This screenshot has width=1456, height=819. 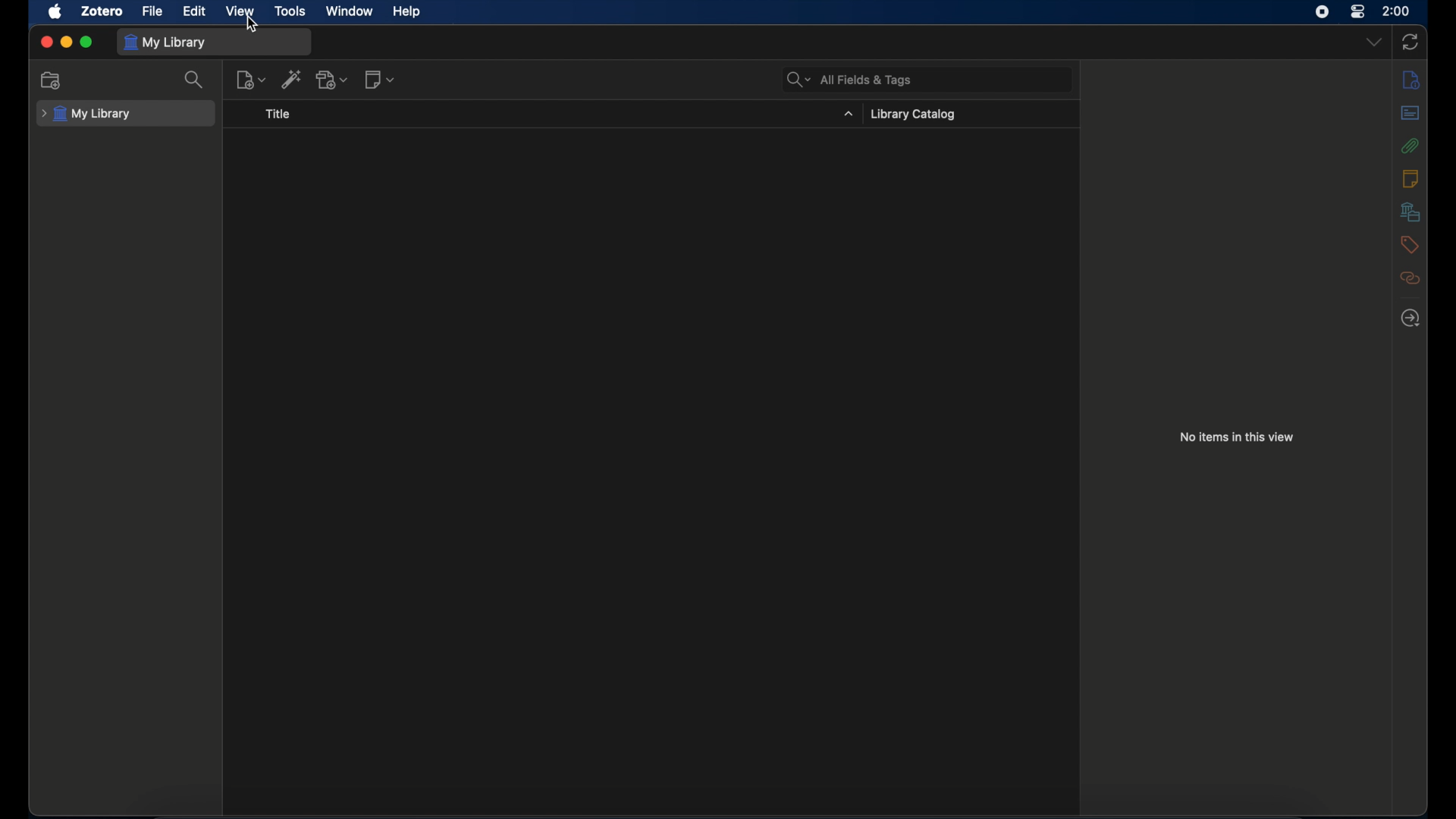 What do you see at coordinates (1412, 146) in the screenshot?
I see `attachments` at bounding box center [1412, 146].